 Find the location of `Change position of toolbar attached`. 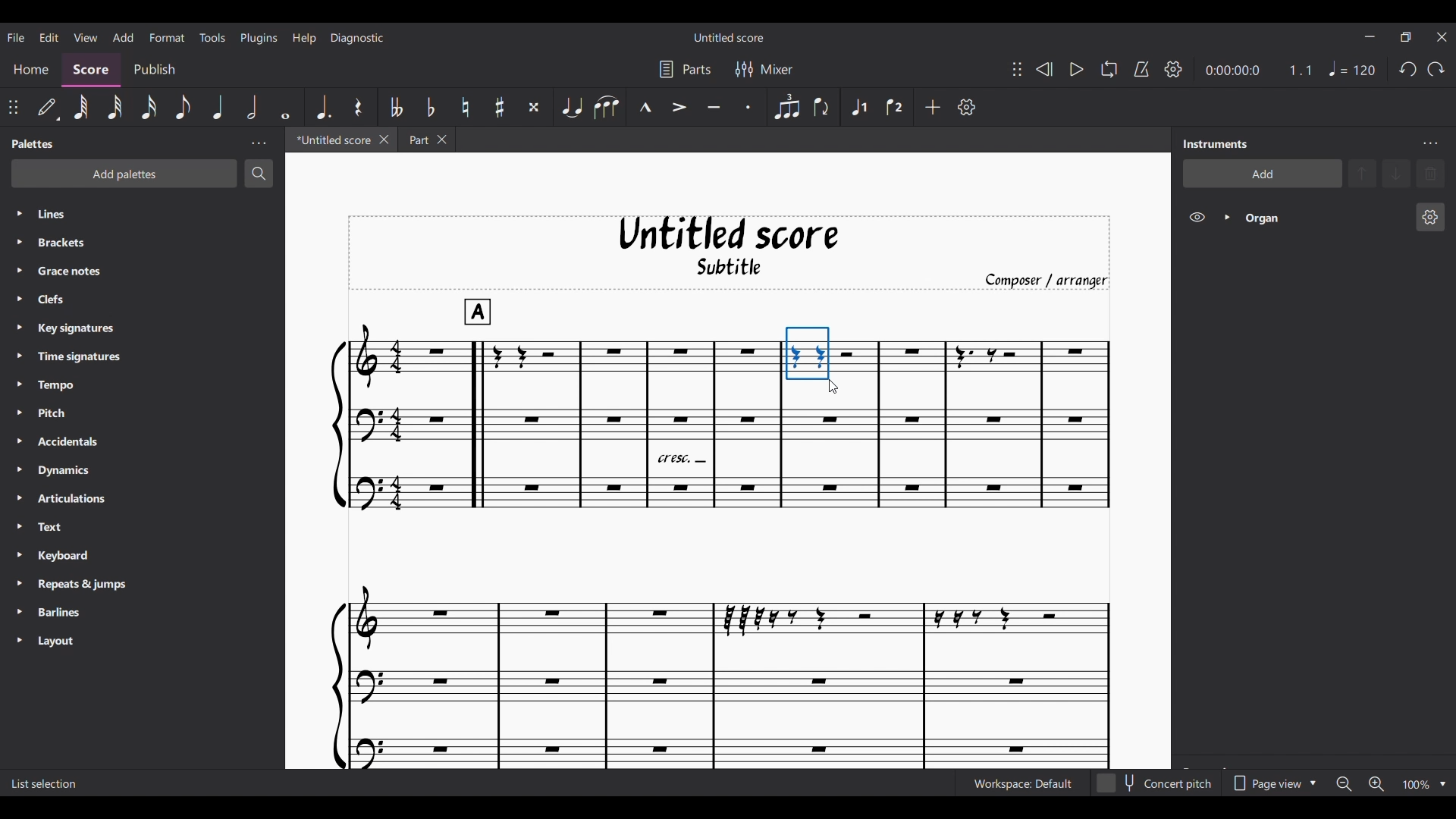

Change position of toolbar attached is located at coordinates (1018, 69).